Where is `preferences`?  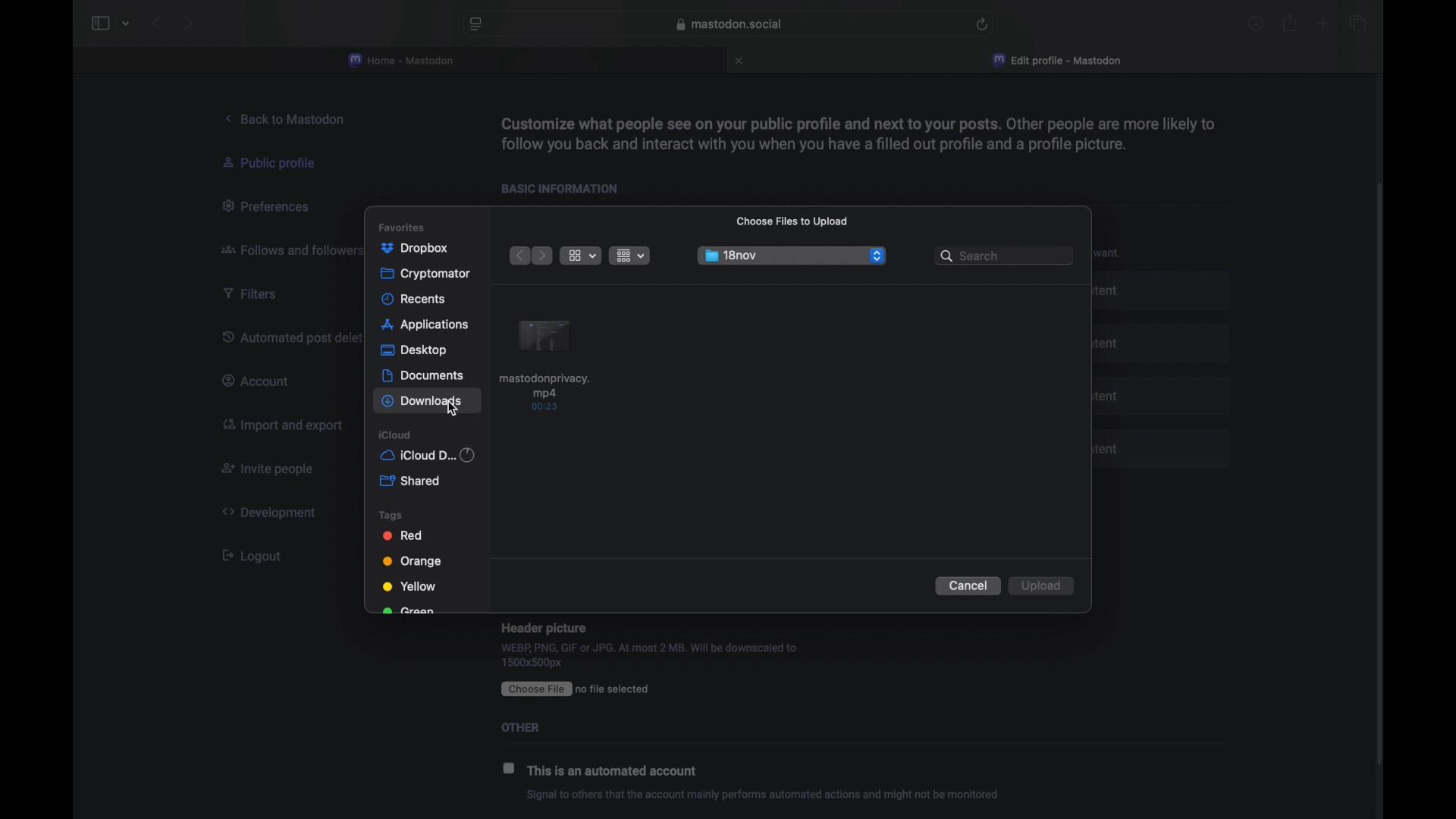 preferences is located at coordinates (269, 207).